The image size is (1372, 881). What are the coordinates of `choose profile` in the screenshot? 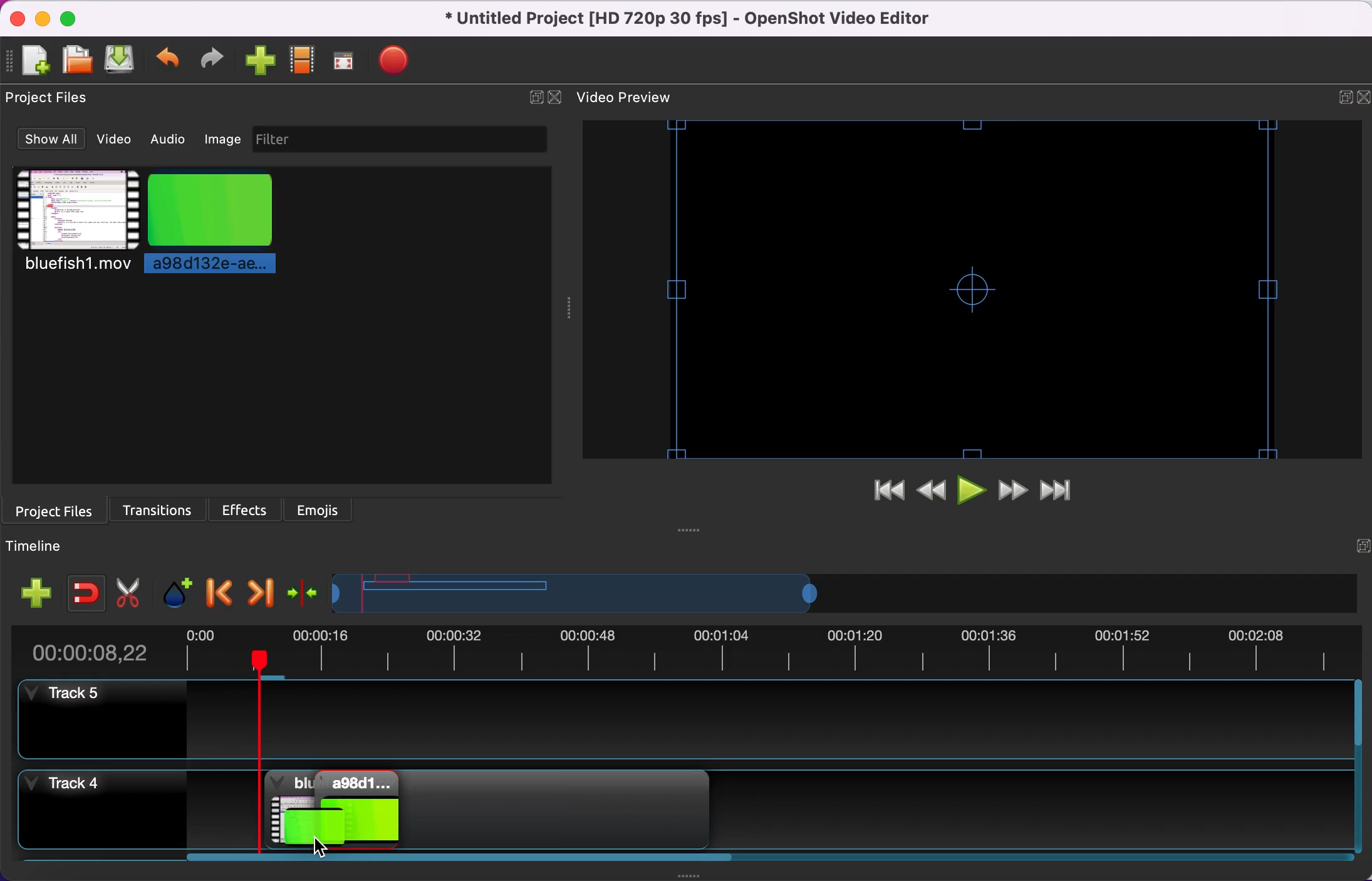 It's located at (301, 63).